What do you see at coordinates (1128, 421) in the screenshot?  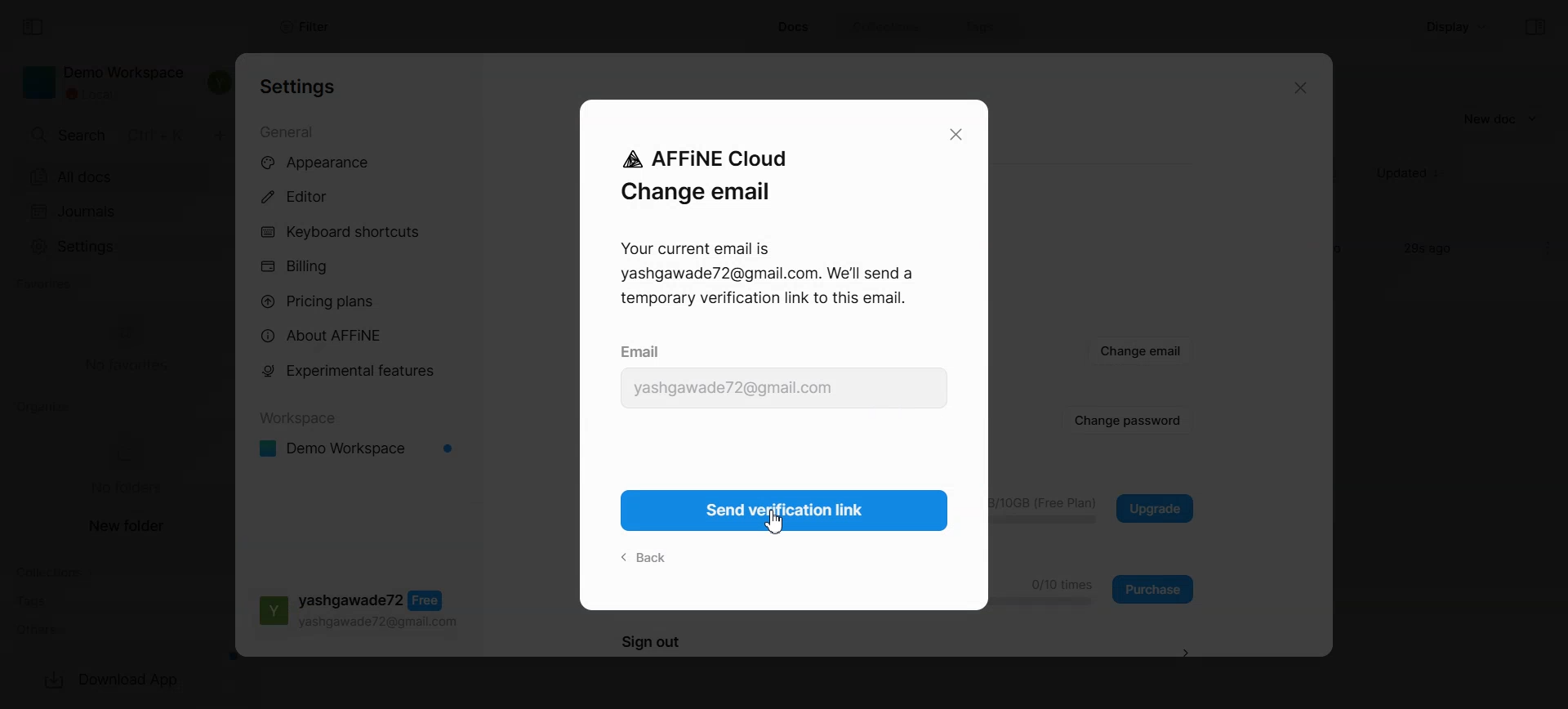 I see `Change password` at bounding box center [1128, 421].